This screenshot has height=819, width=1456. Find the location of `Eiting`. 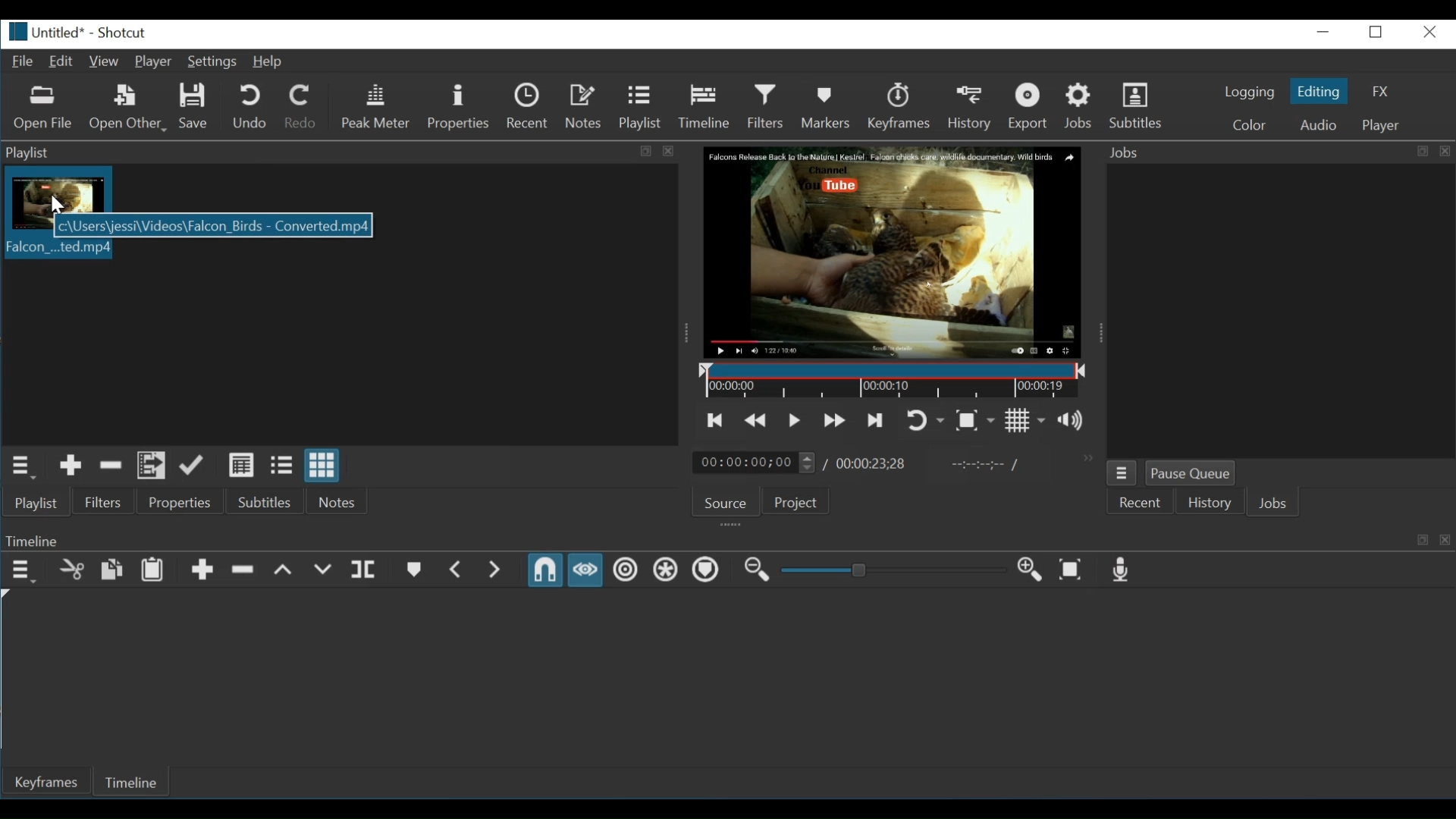

Eiting is located at coordinates (1317, 90).